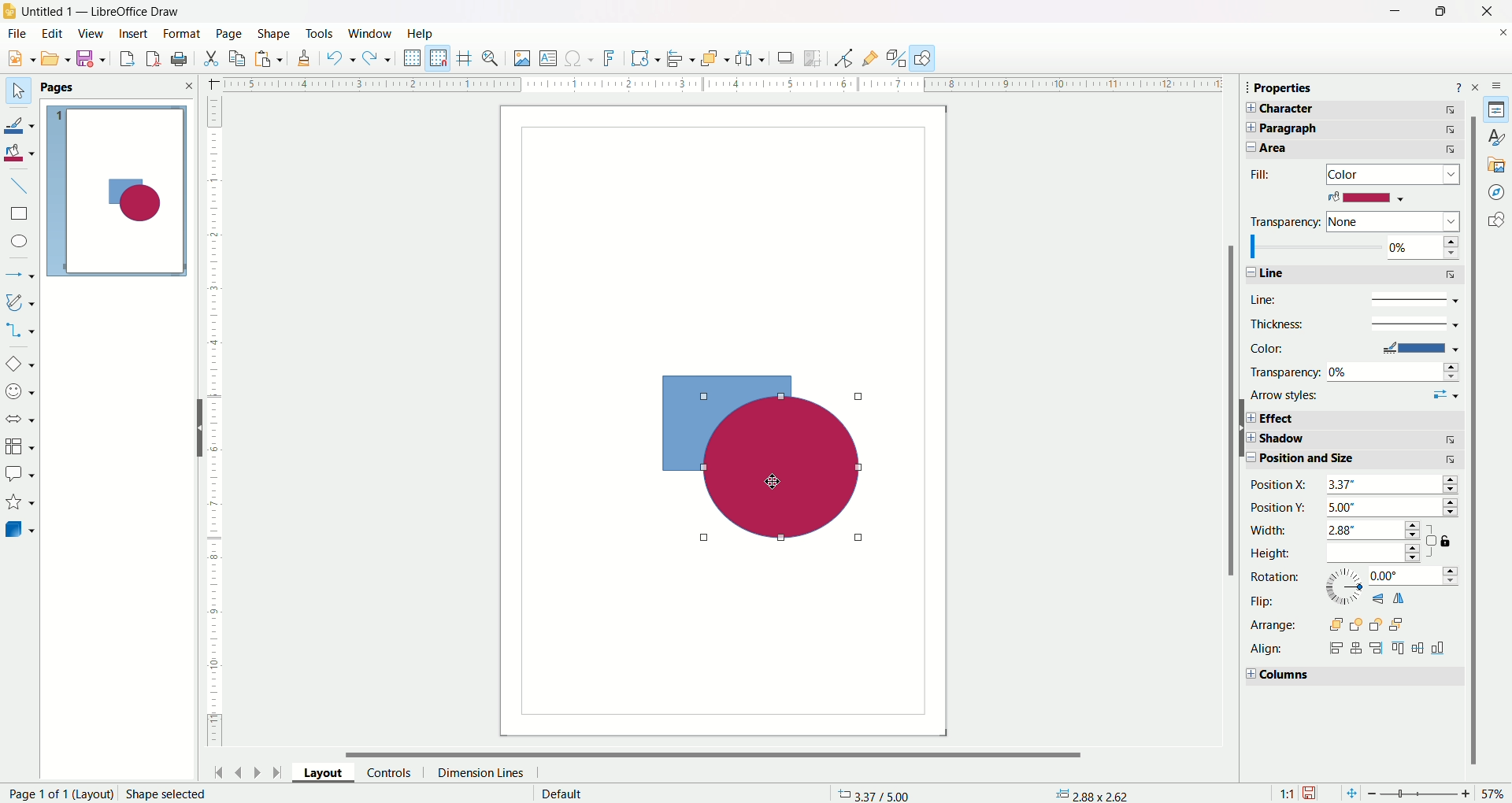  I want to click on window, so click(372, 32).